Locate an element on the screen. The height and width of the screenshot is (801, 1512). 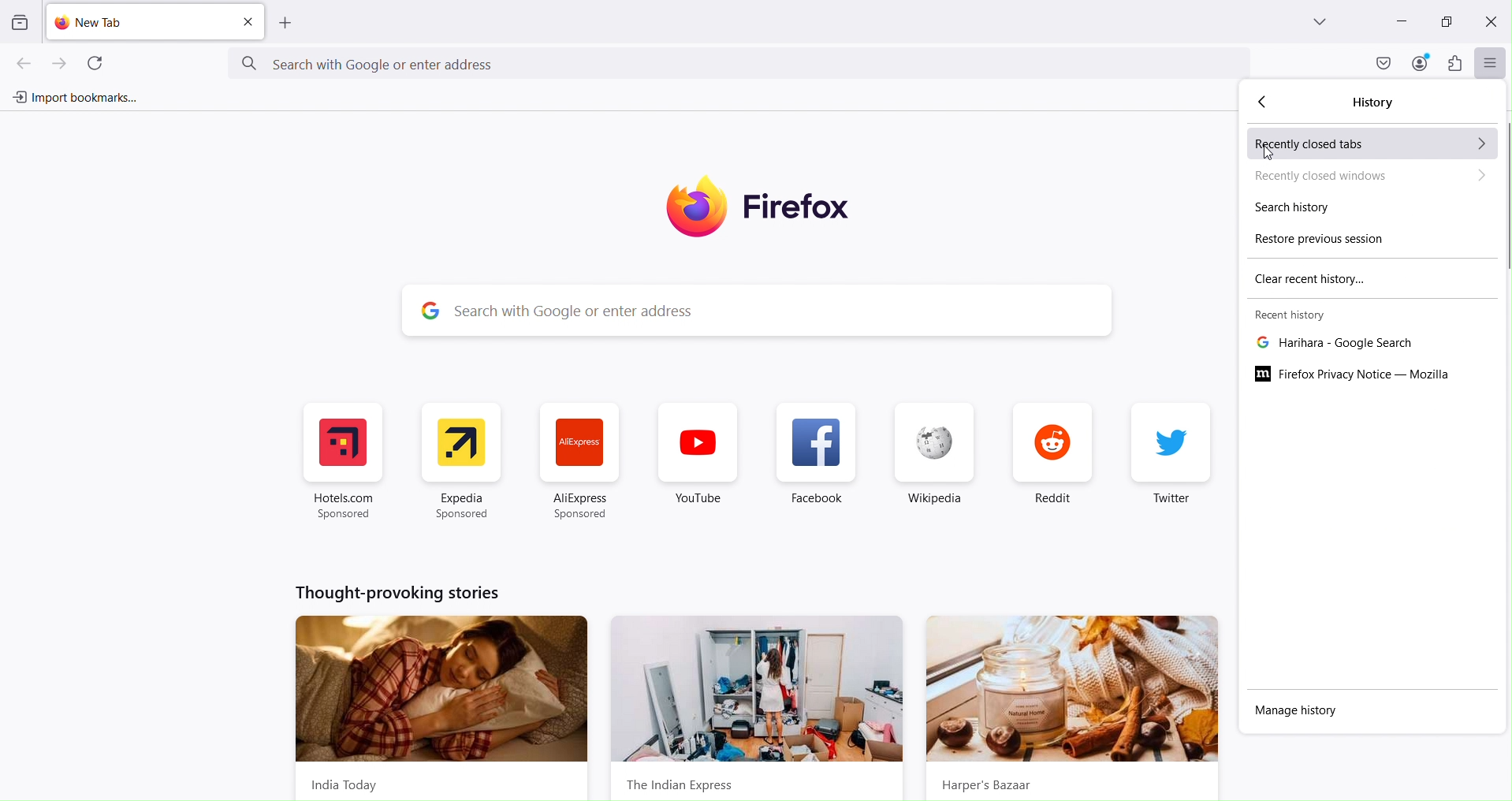
Search history is located at coordinates (1303, 209).